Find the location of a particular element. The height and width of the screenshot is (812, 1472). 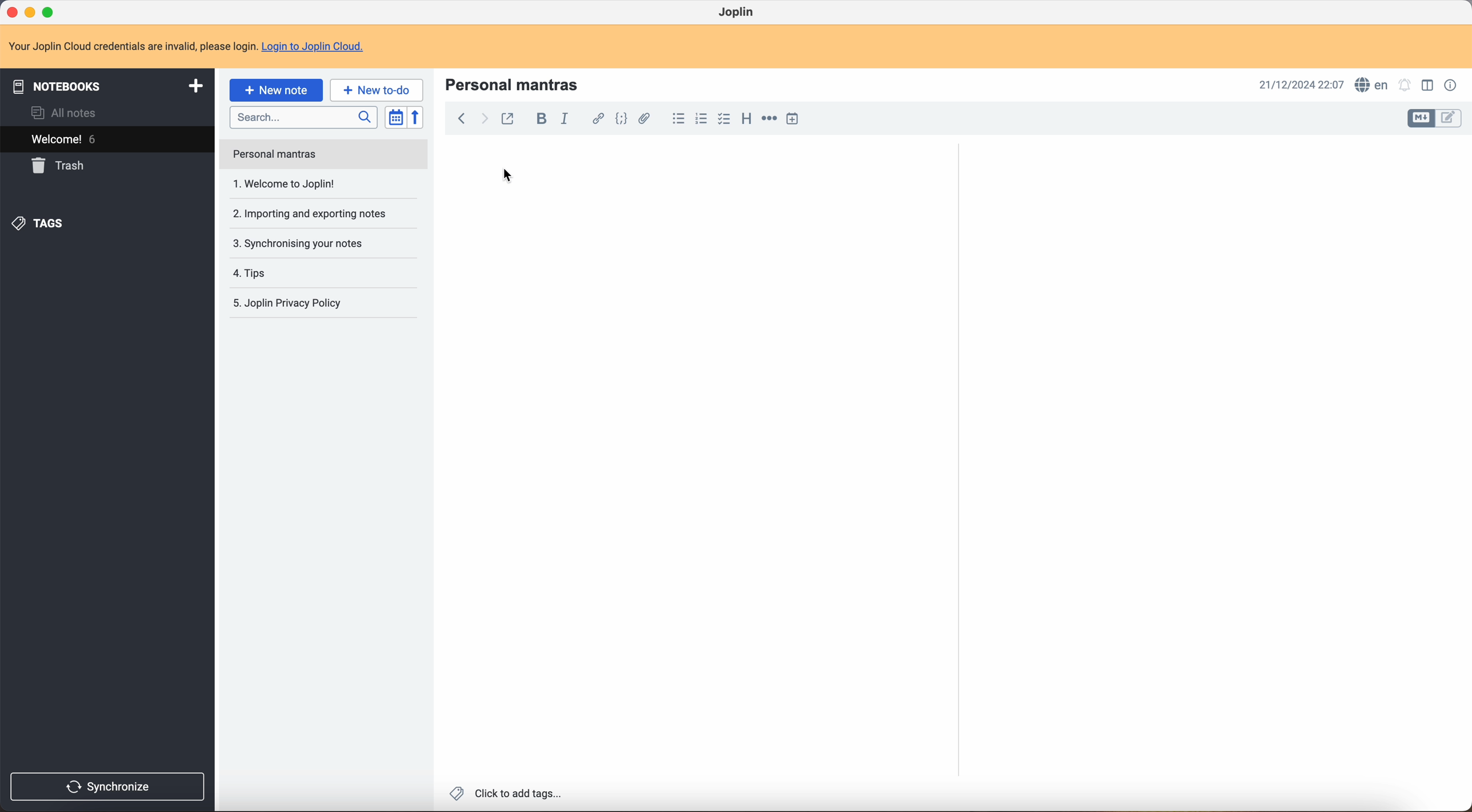

reverse sort order is located at coordinates (416, 118).